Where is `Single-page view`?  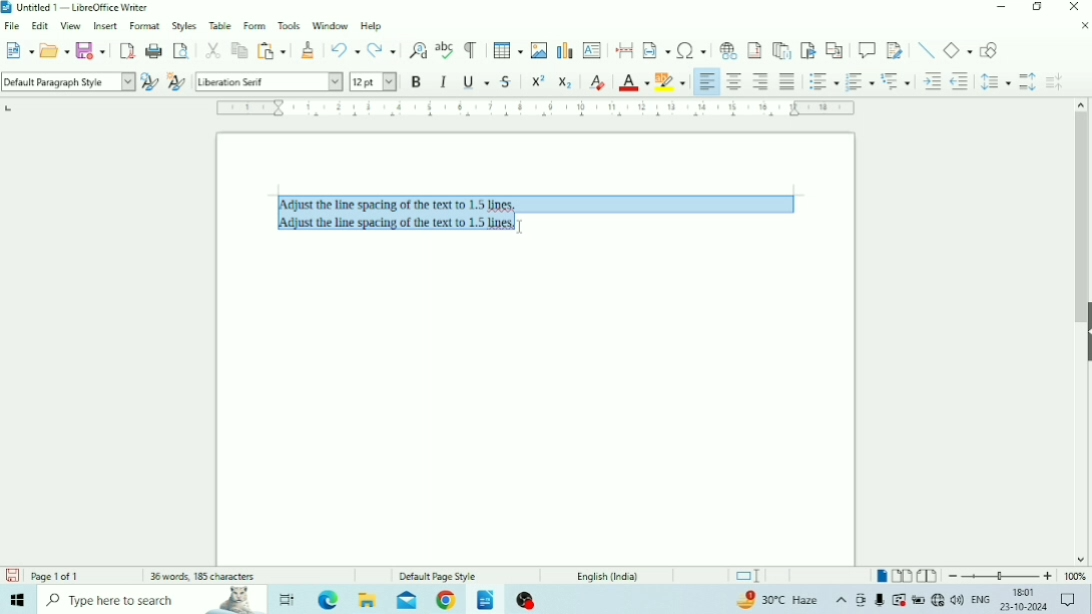
Single-page view is located at coordinates (882, 577).